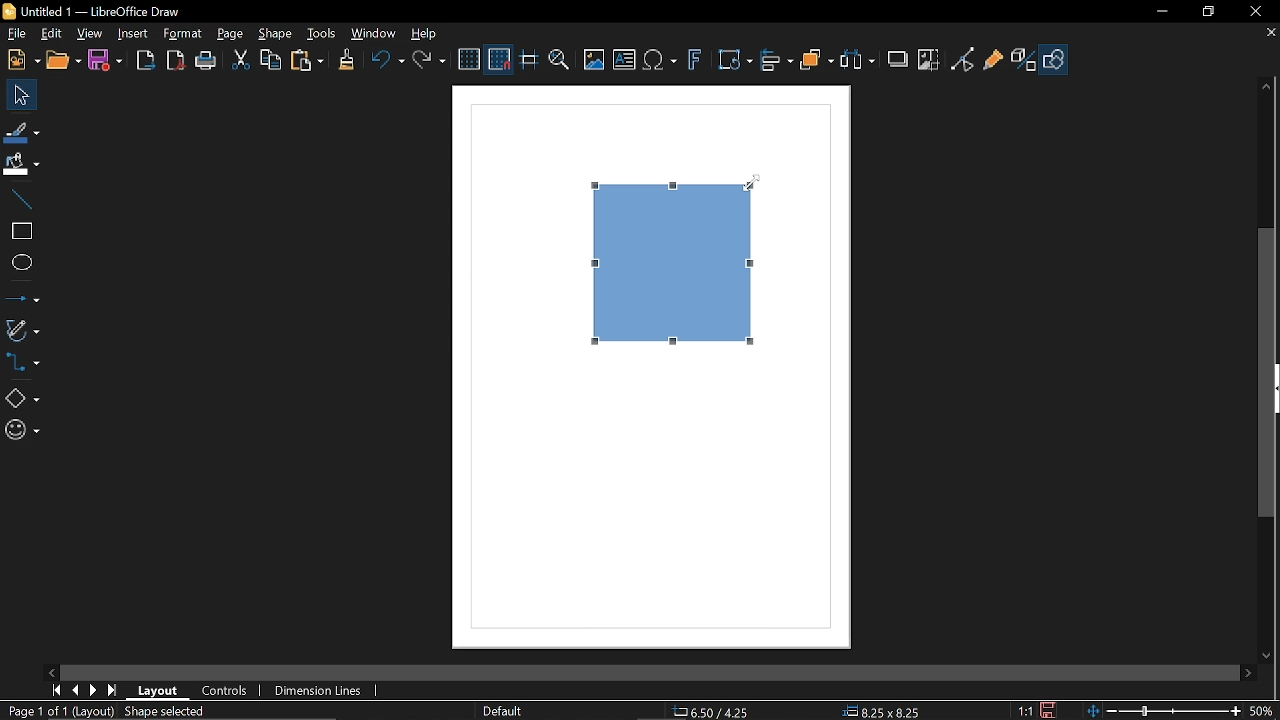 This screenshot has width=1280, height=720. I want to click on Close current tab, so click(1270, 33).